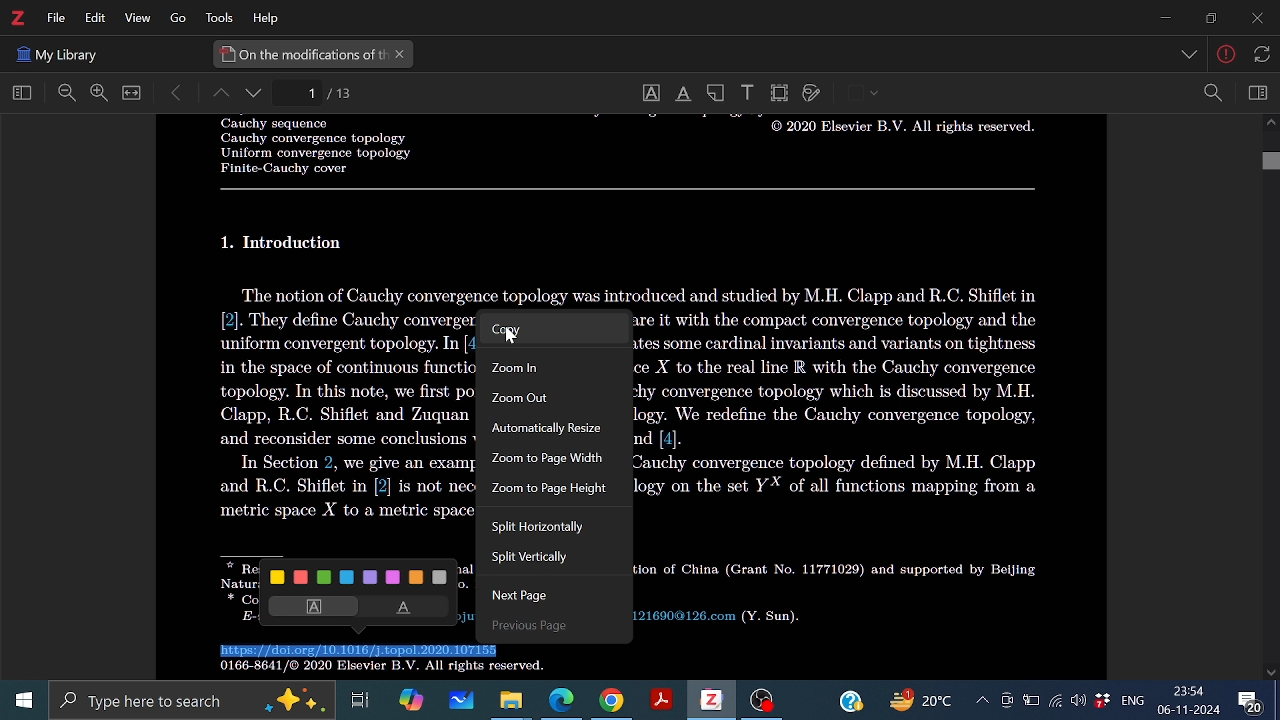 The image size is (1280, 720). Describe the element at coordinates (746, 91) in the screenshot. I see `Add text` at that location.